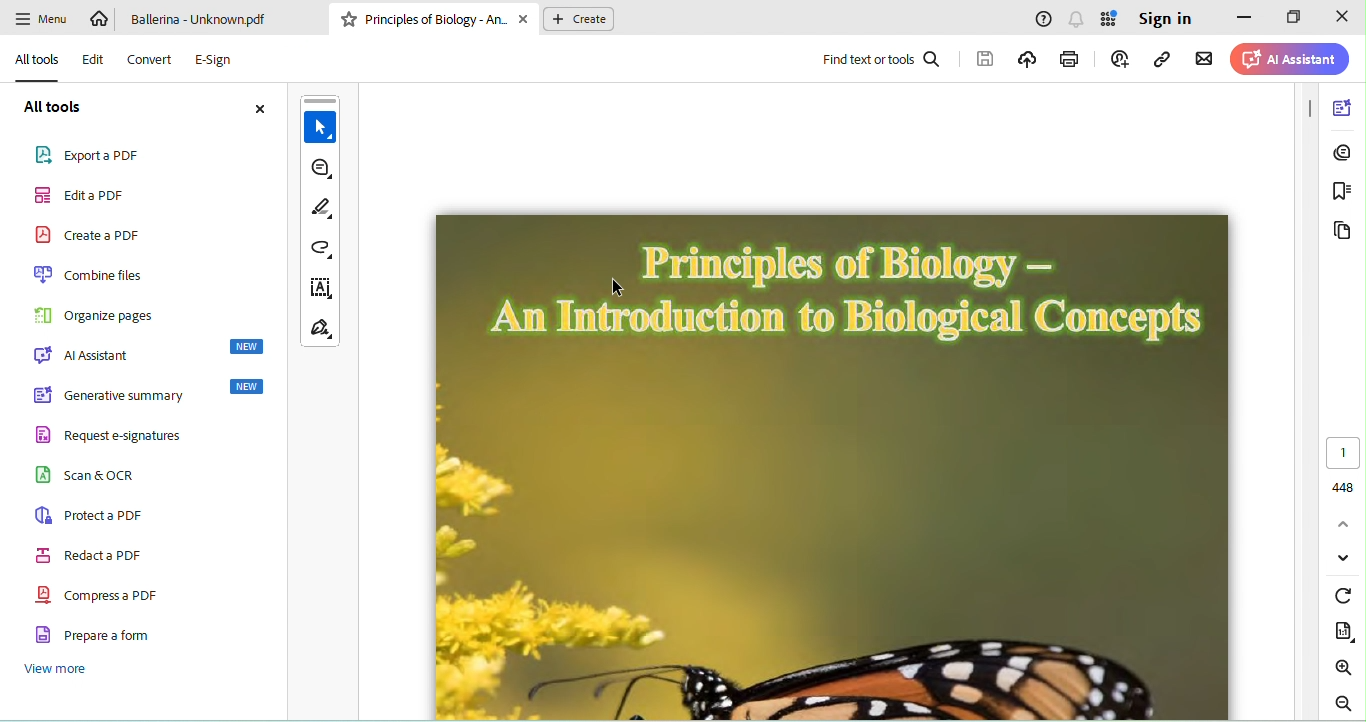  What do you see at coordinates (1344, 152) in the screenshot?
I see `review comments, copy text, mark as unread,remove` at bounding box center [1344, 152].